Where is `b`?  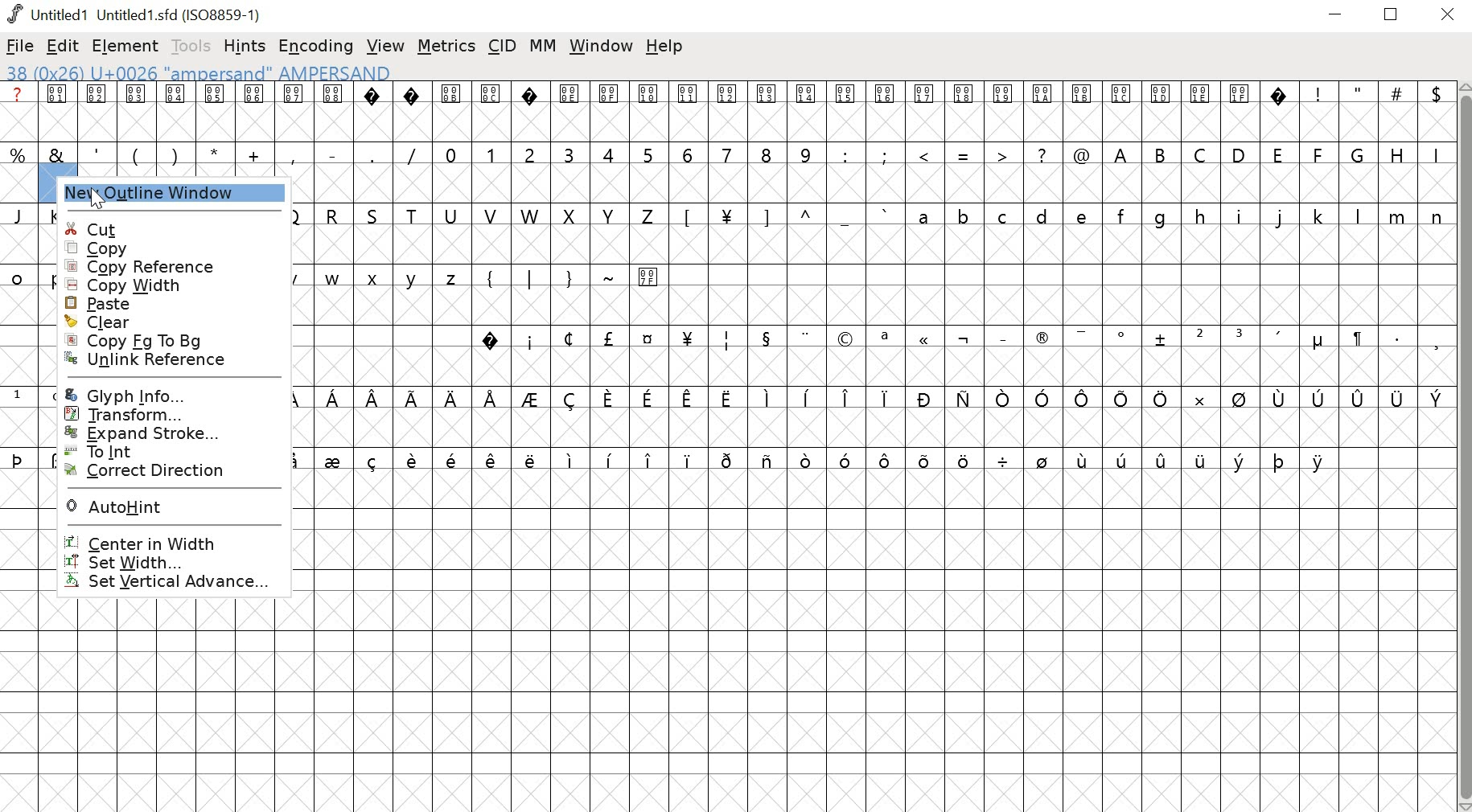 b is located at coordinates (966, 215).